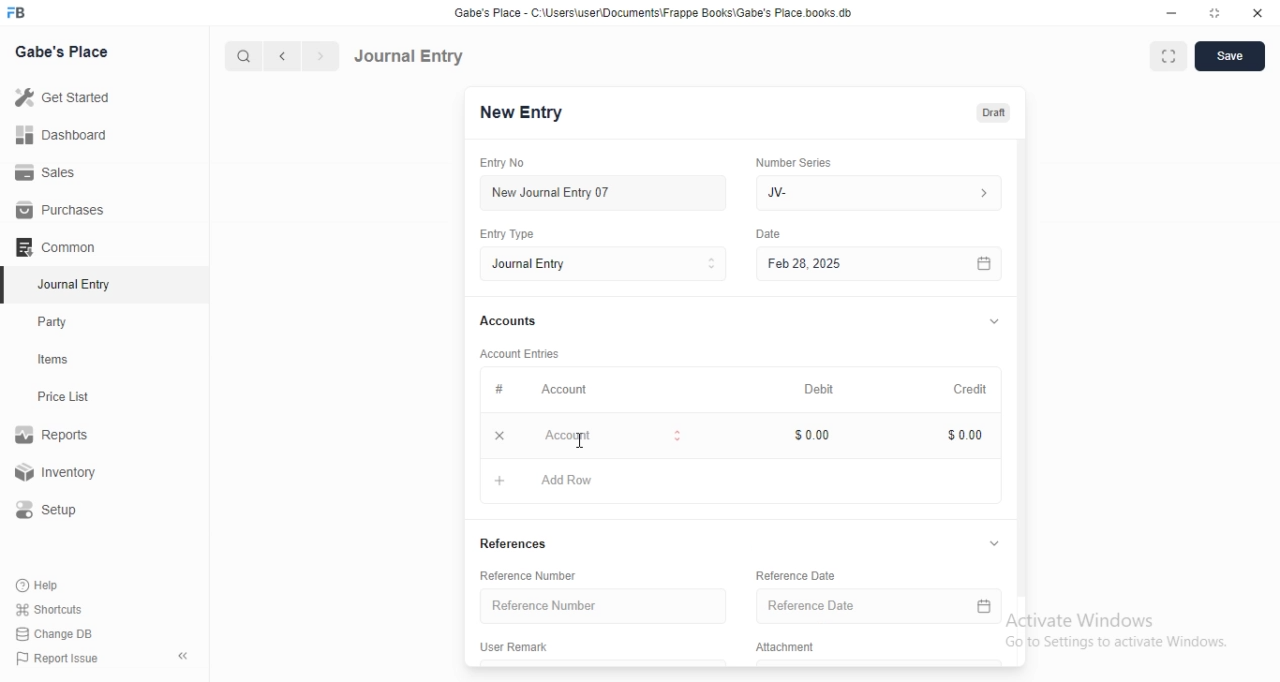  Describe the element at coordinates (517, 649) in the screenshot. I see `User Remark` at that location.